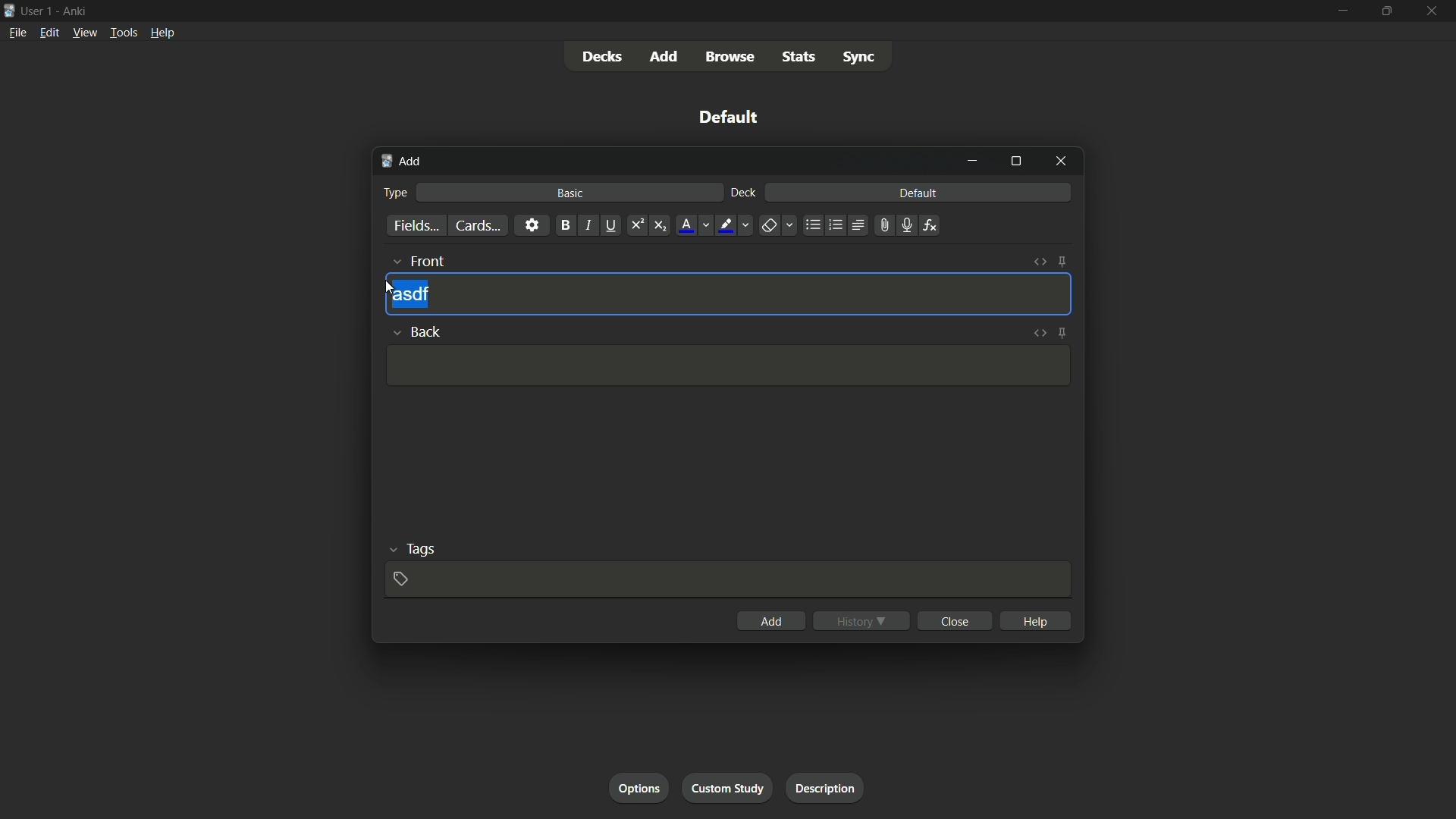 The height and width of the screenshot is (819, 1456). I want to click on tags, so click(410, 549).